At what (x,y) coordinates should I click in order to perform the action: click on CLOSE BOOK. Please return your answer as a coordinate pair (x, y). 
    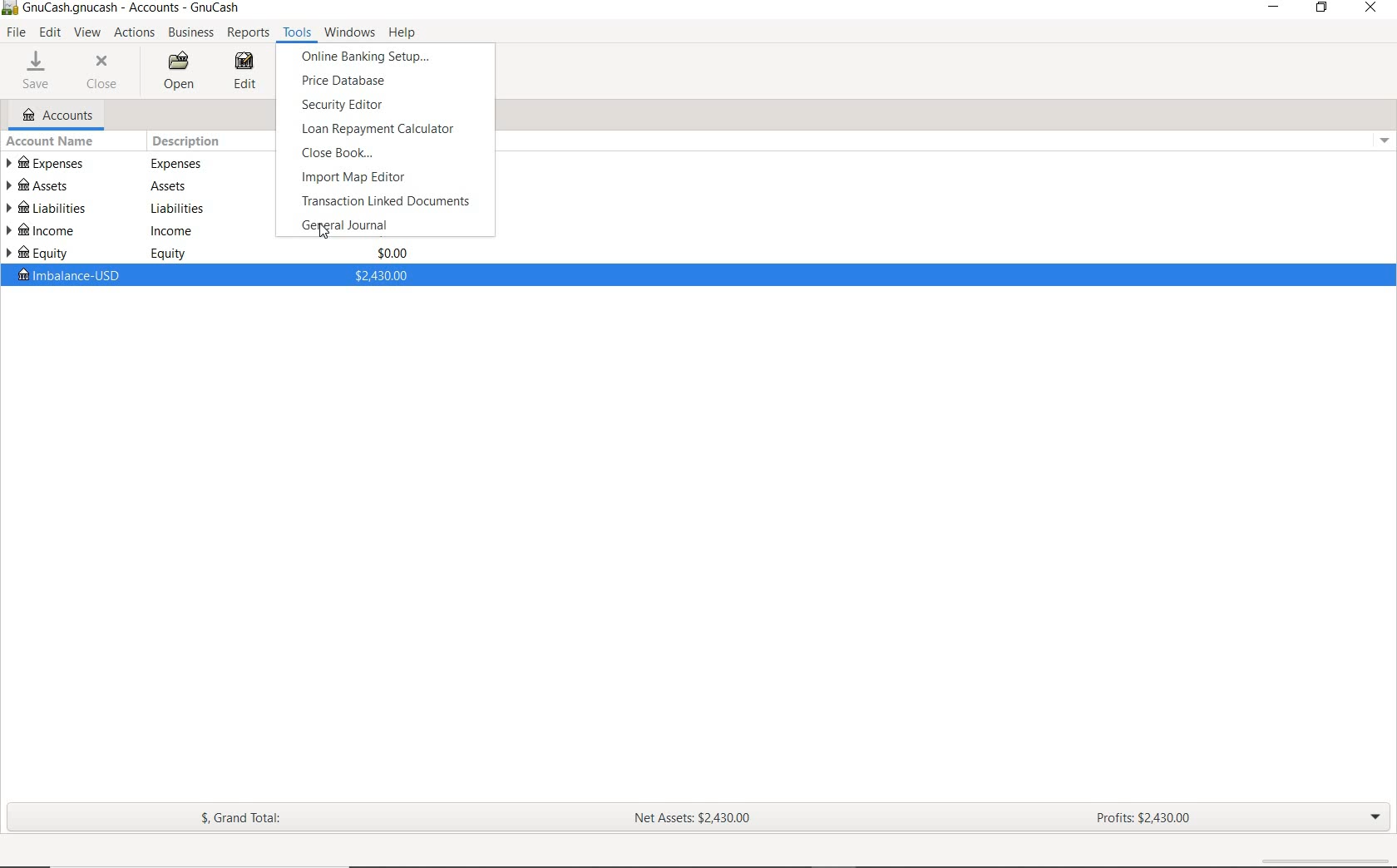
    Looking at the image, I should click on (344, 153).